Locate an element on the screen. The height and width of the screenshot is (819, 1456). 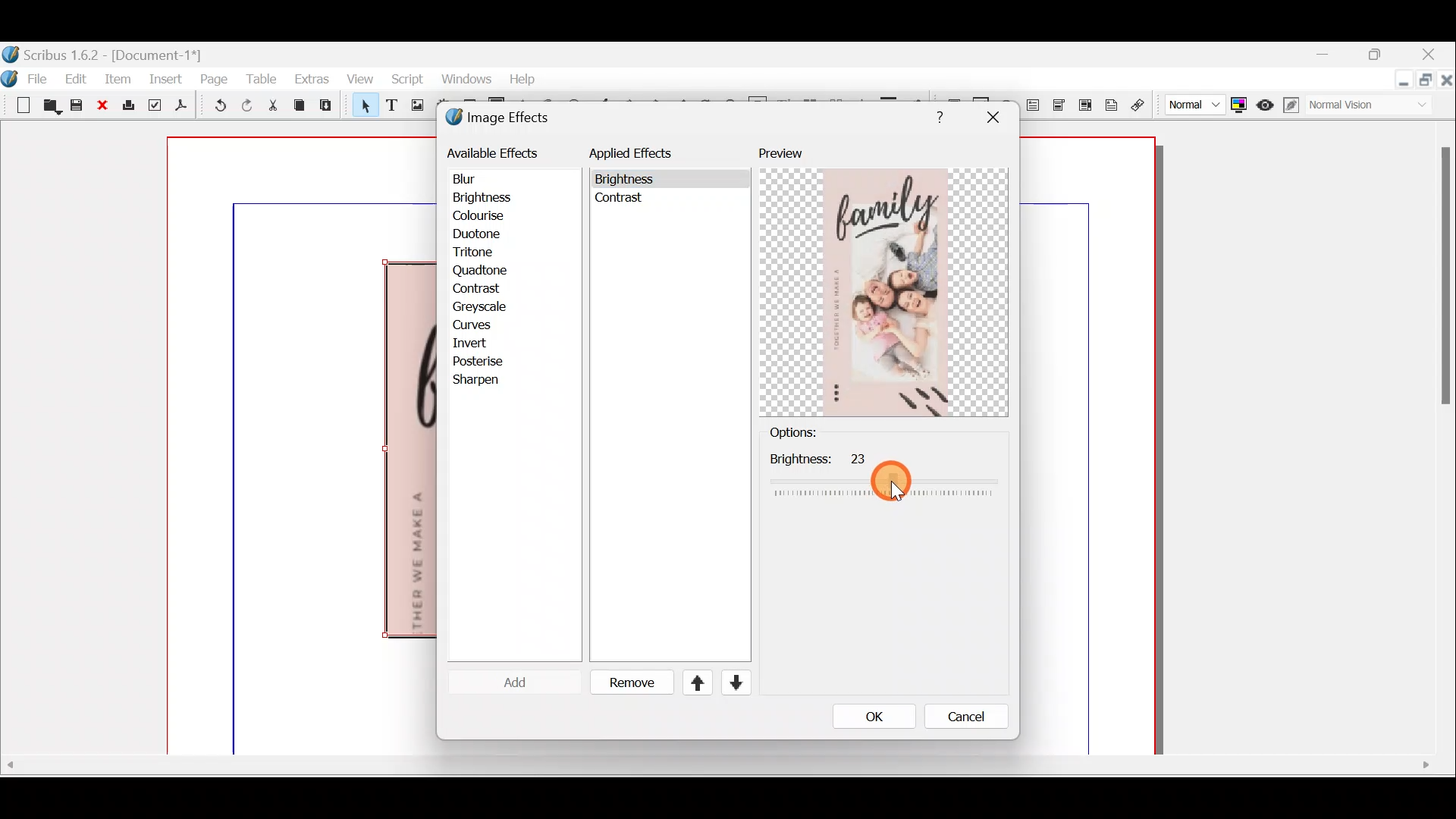
Visual appearance of display is located at coordinates (1376, 106).